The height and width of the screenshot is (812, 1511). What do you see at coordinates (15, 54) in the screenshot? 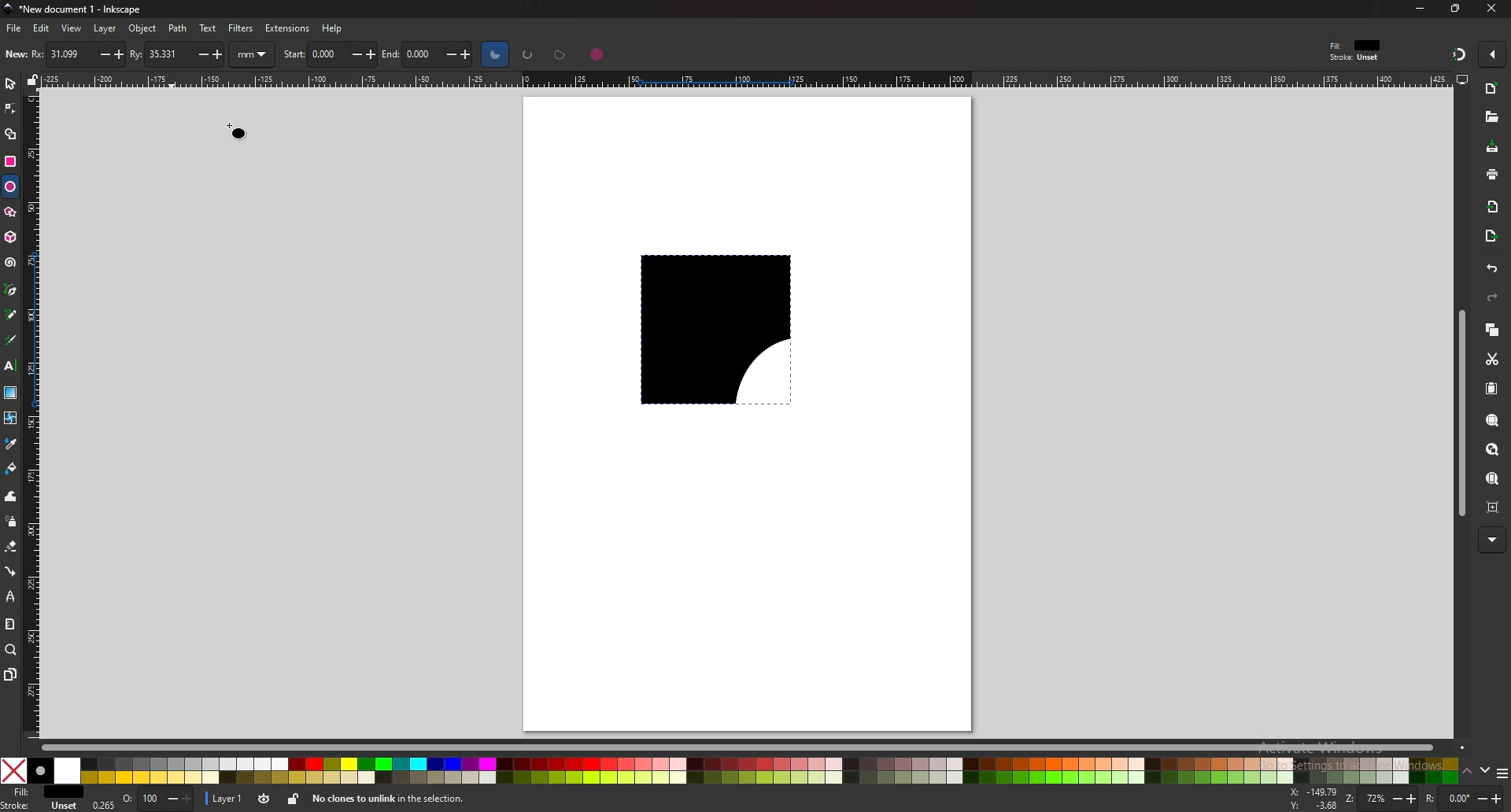
I see `new` at bounding box center [15, 54].